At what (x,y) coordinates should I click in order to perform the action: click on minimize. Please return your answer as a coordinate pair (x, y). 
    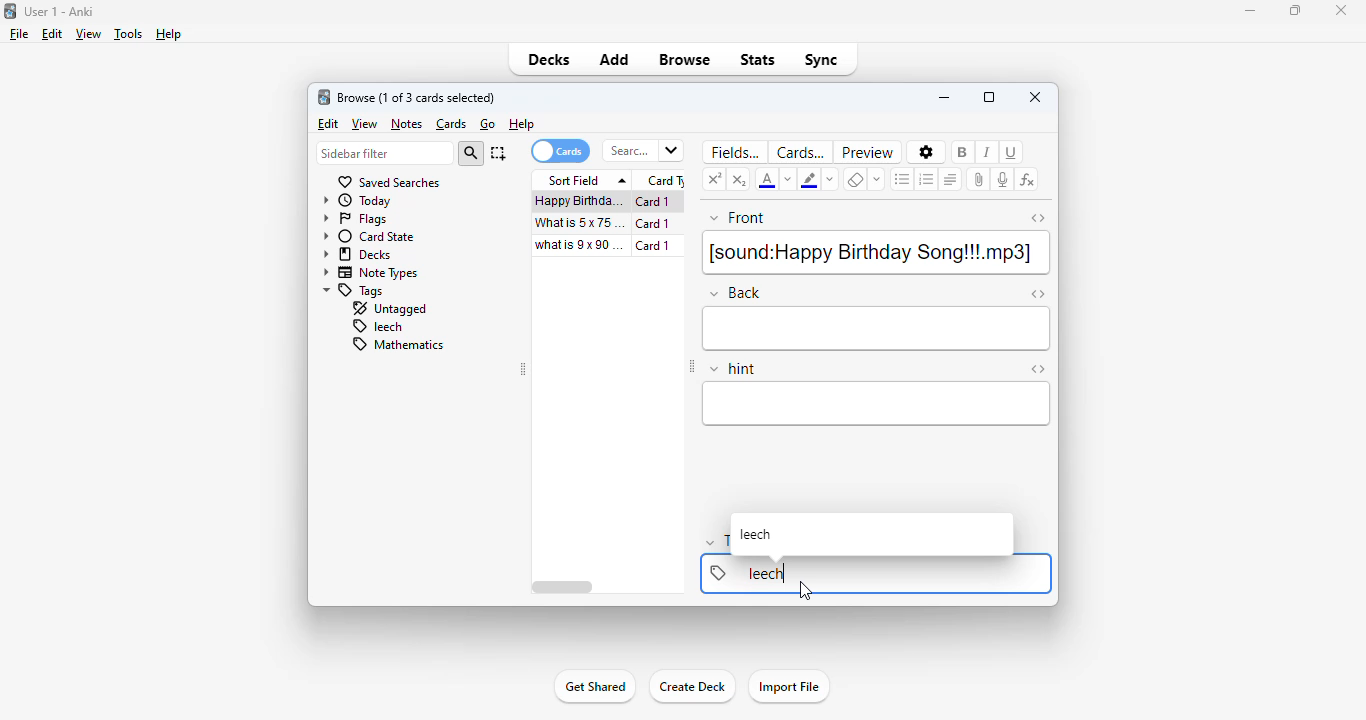
    Looking at the image, I should click on (944, 97).